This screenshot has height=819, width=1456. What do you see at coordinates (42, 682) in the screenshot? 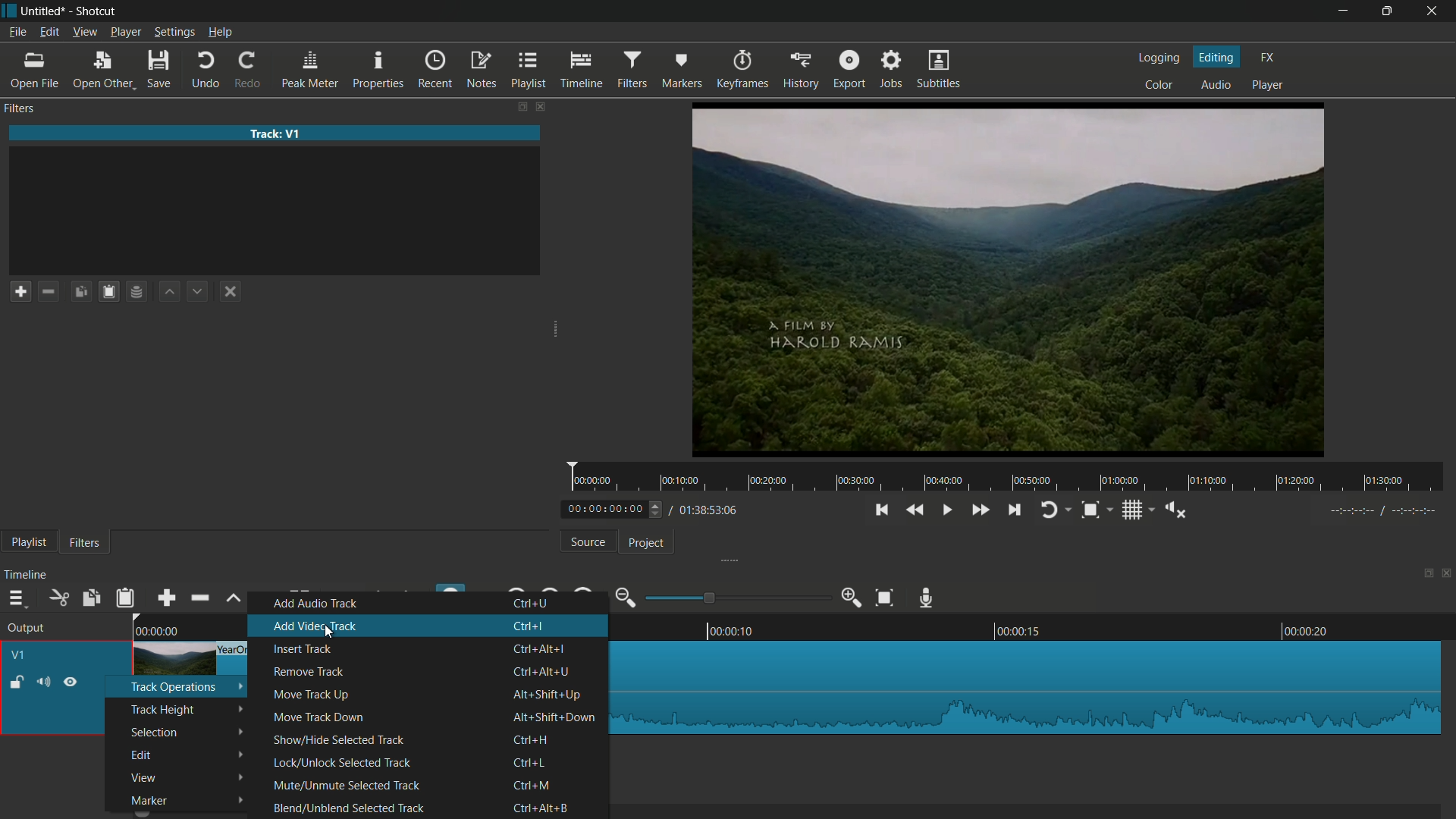
I see `mute` at bounding box center [42, 682].